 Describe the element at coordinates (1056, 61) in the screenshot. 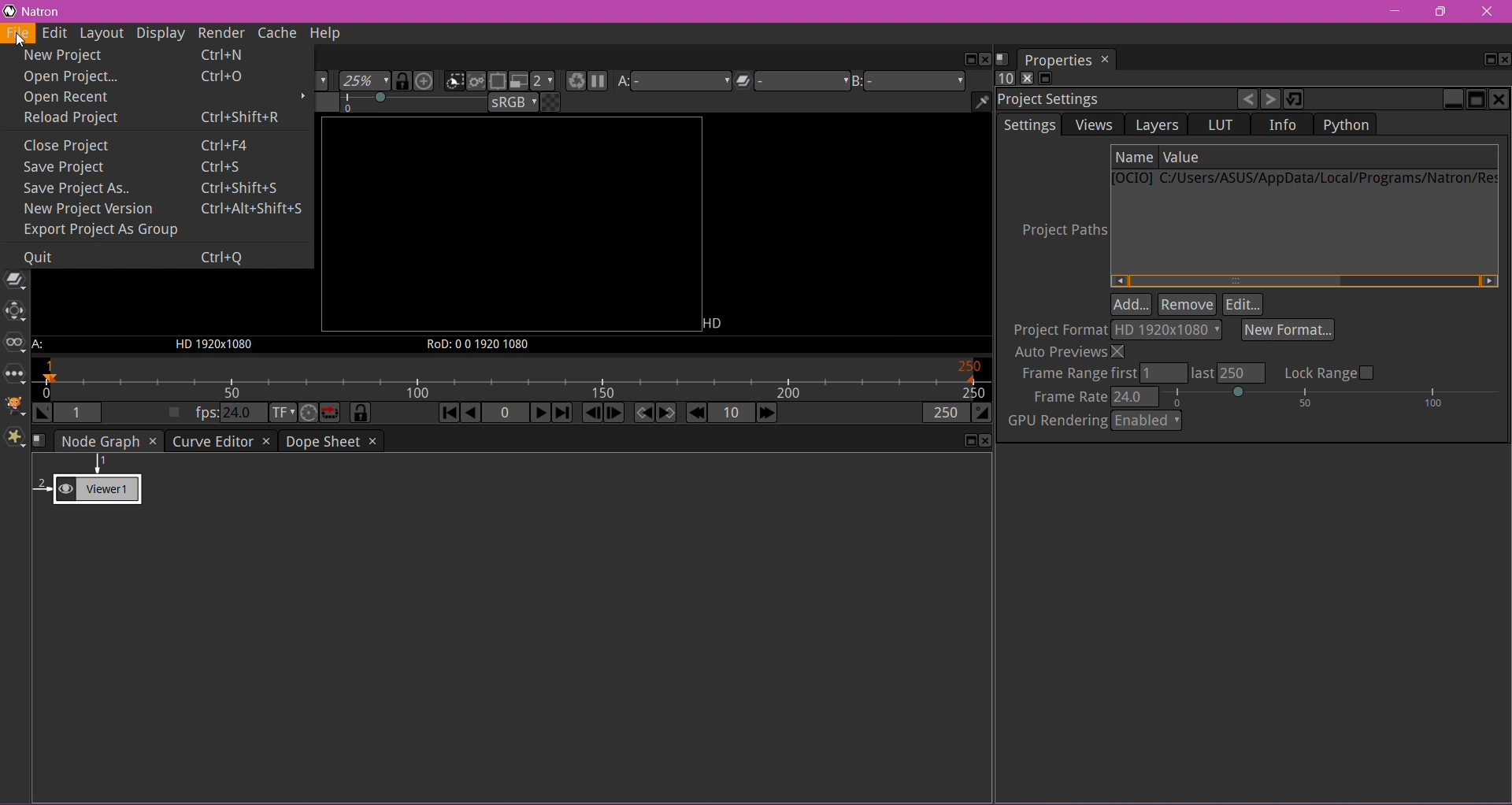

I see `Properties` at that location.